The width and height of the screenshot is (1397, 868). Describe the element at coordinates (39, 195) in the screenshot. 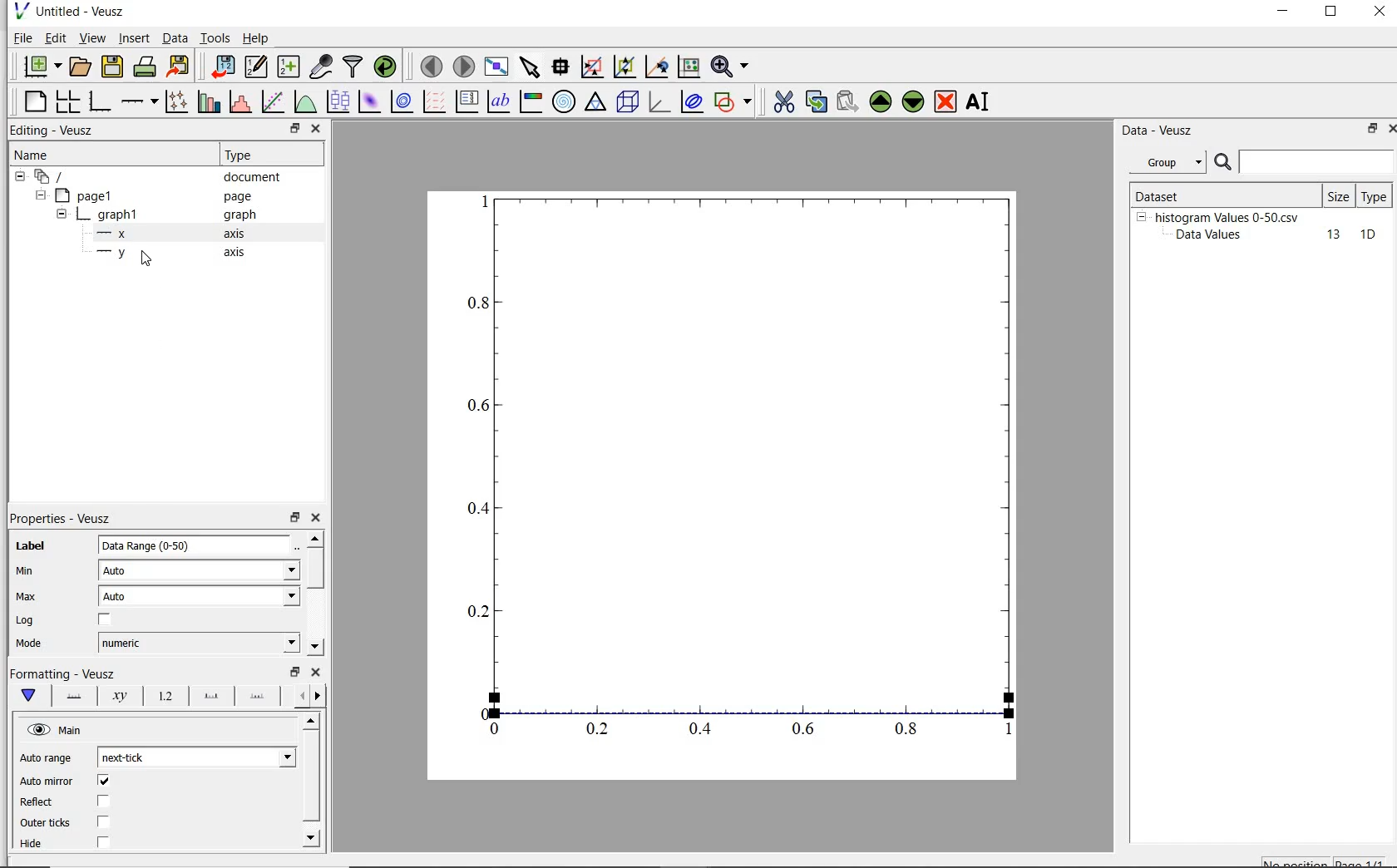

I see `hide` at that location.